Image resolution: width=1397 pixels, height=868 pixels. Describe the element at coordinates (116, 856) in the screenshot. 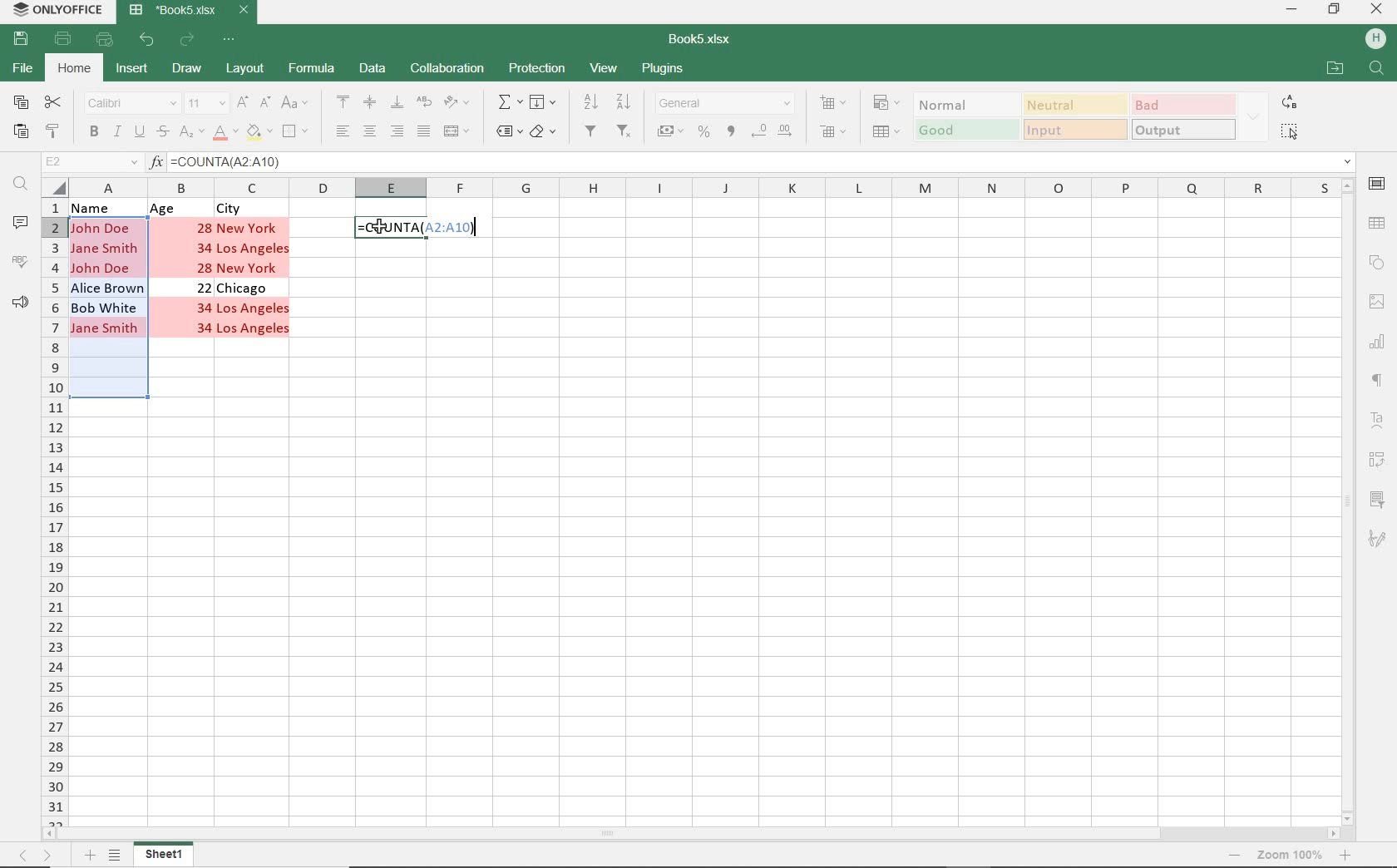

I see `LIST SHEETS` at that location.